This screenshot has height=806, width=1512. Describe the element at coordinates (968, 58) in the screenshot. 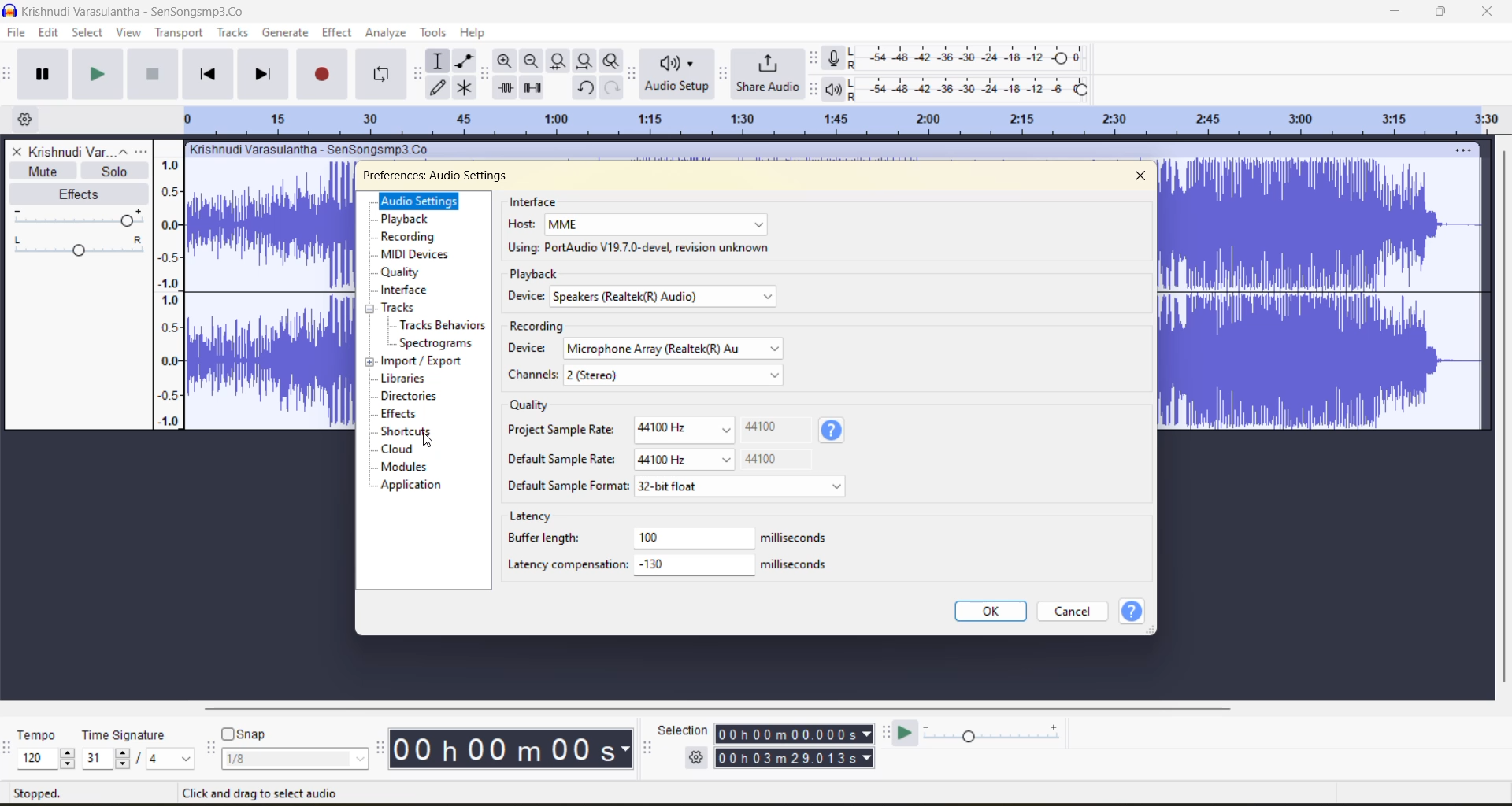

I see `recording level` at that location.